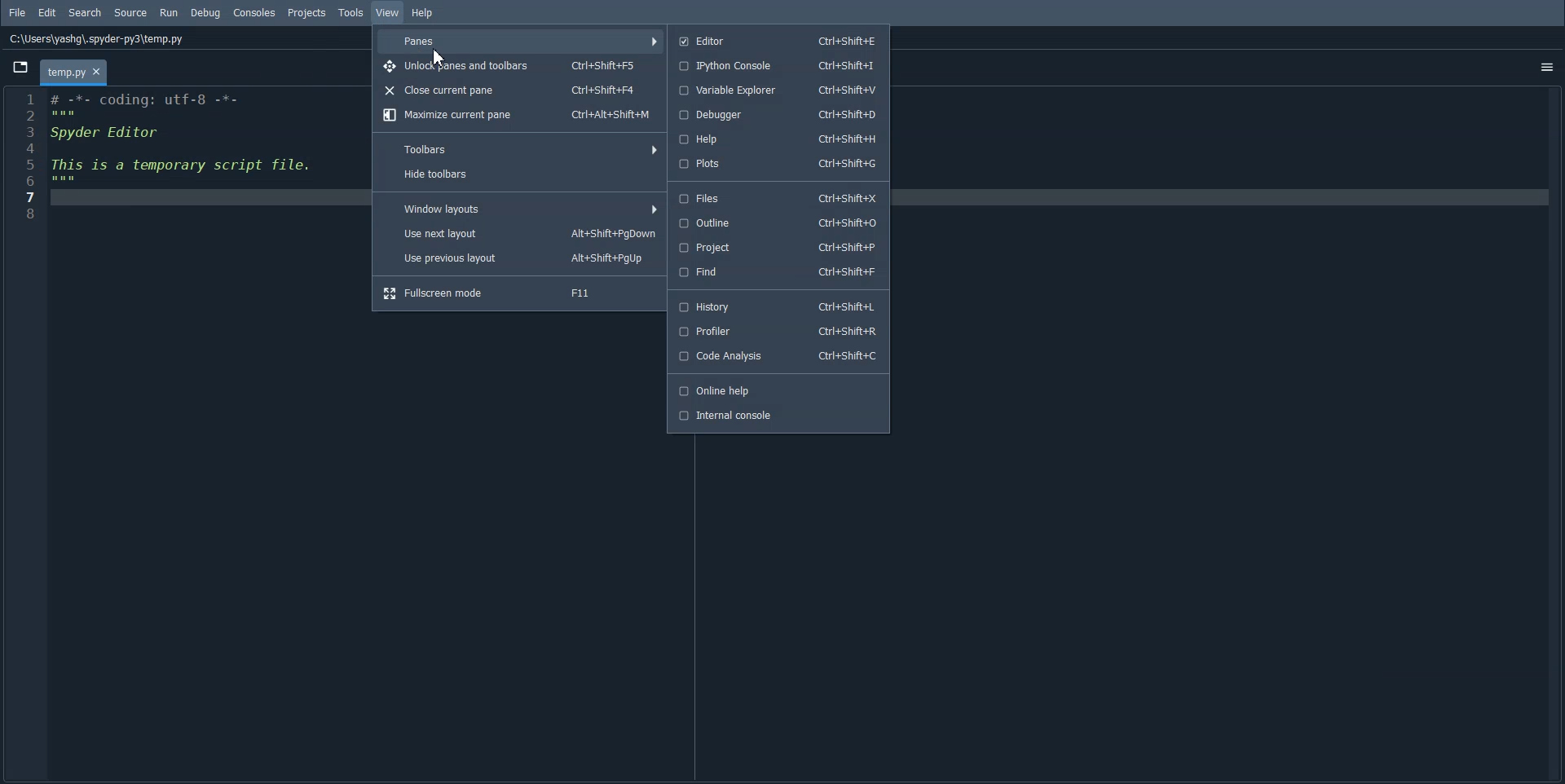 Image resolution: width=1565 pixels, height=784 pixels. I want to click on View, so click(388, 12).